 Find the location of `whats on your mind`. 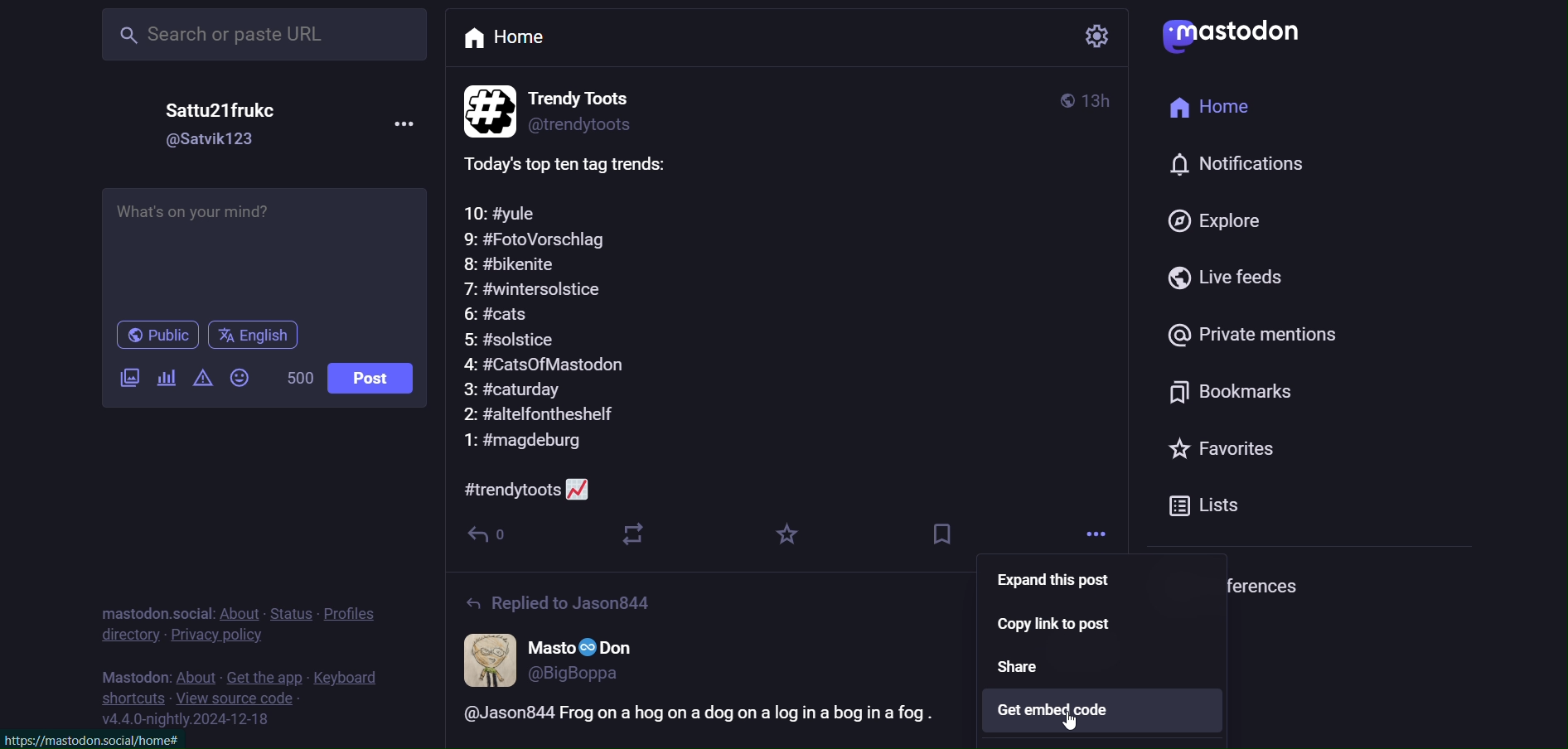

whats on your mind is located at coordinates (266, 244).